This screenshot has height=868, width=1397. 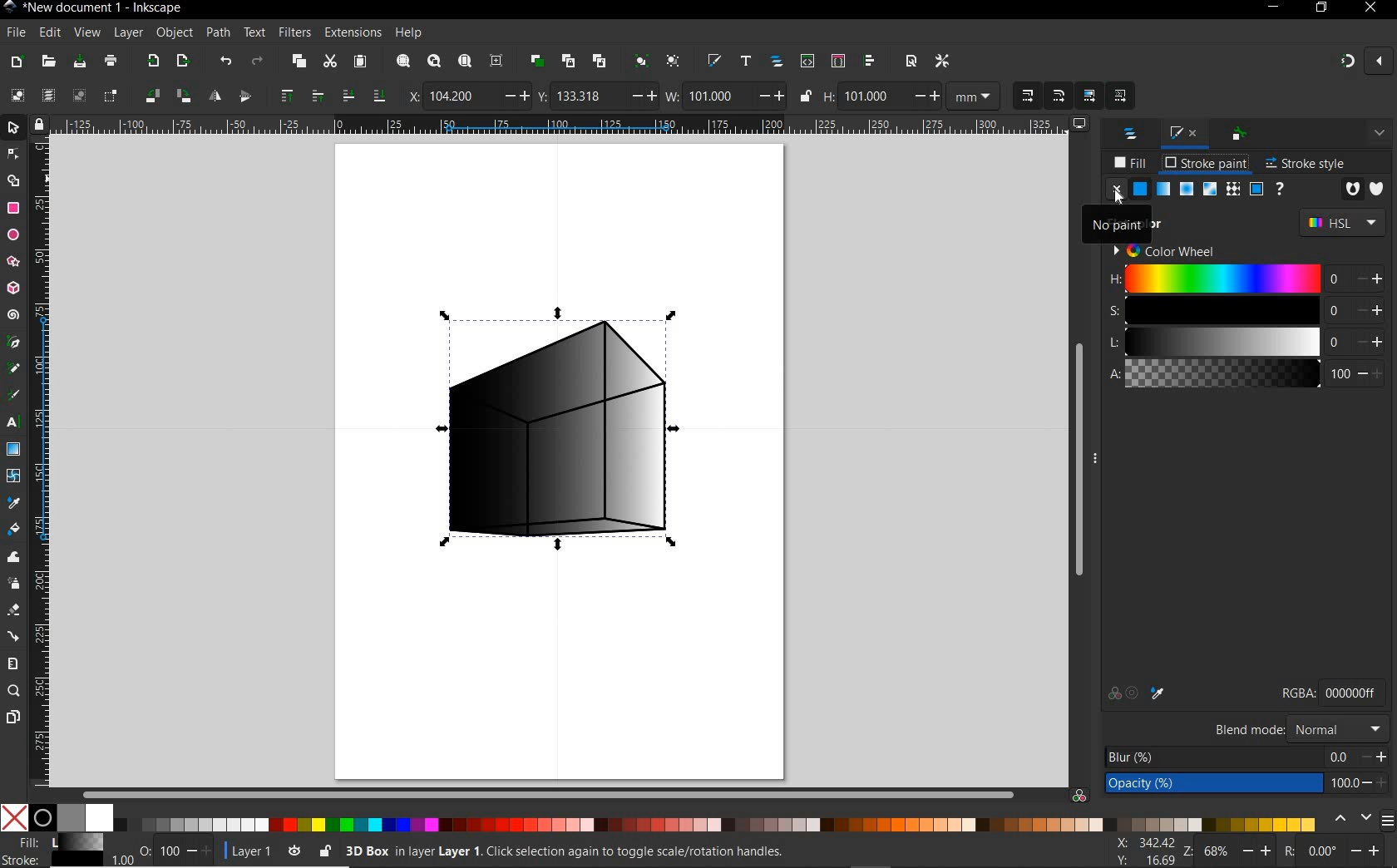 What do you see at coordinates (16, 584) in the screenshot?
I see `SPRAY TOOL` at bounding box center [16, 584].